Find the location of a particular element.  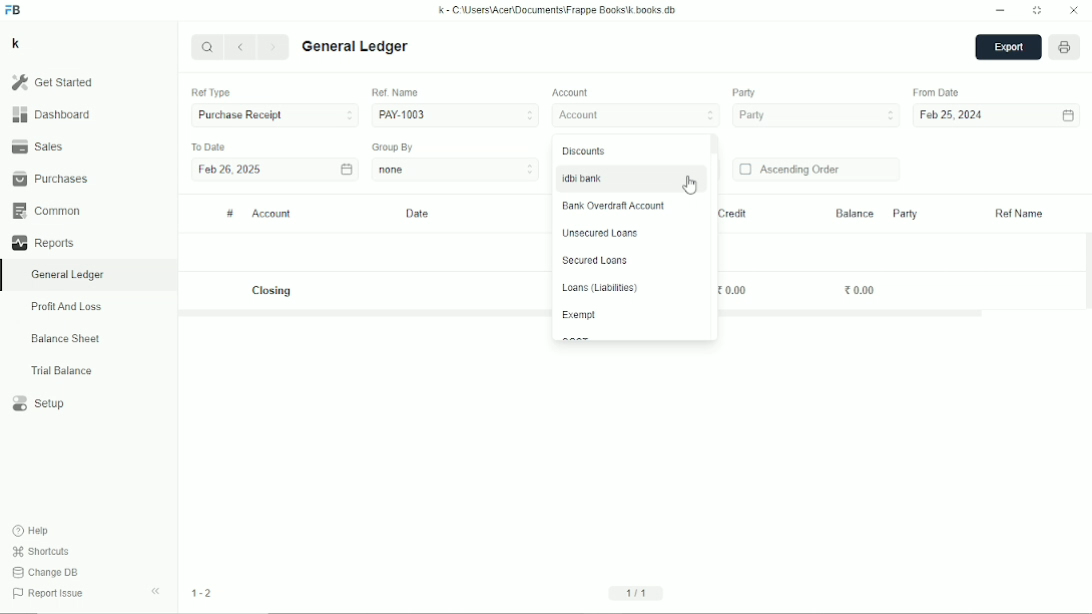

Change DB is located at coordinates (46, 572).